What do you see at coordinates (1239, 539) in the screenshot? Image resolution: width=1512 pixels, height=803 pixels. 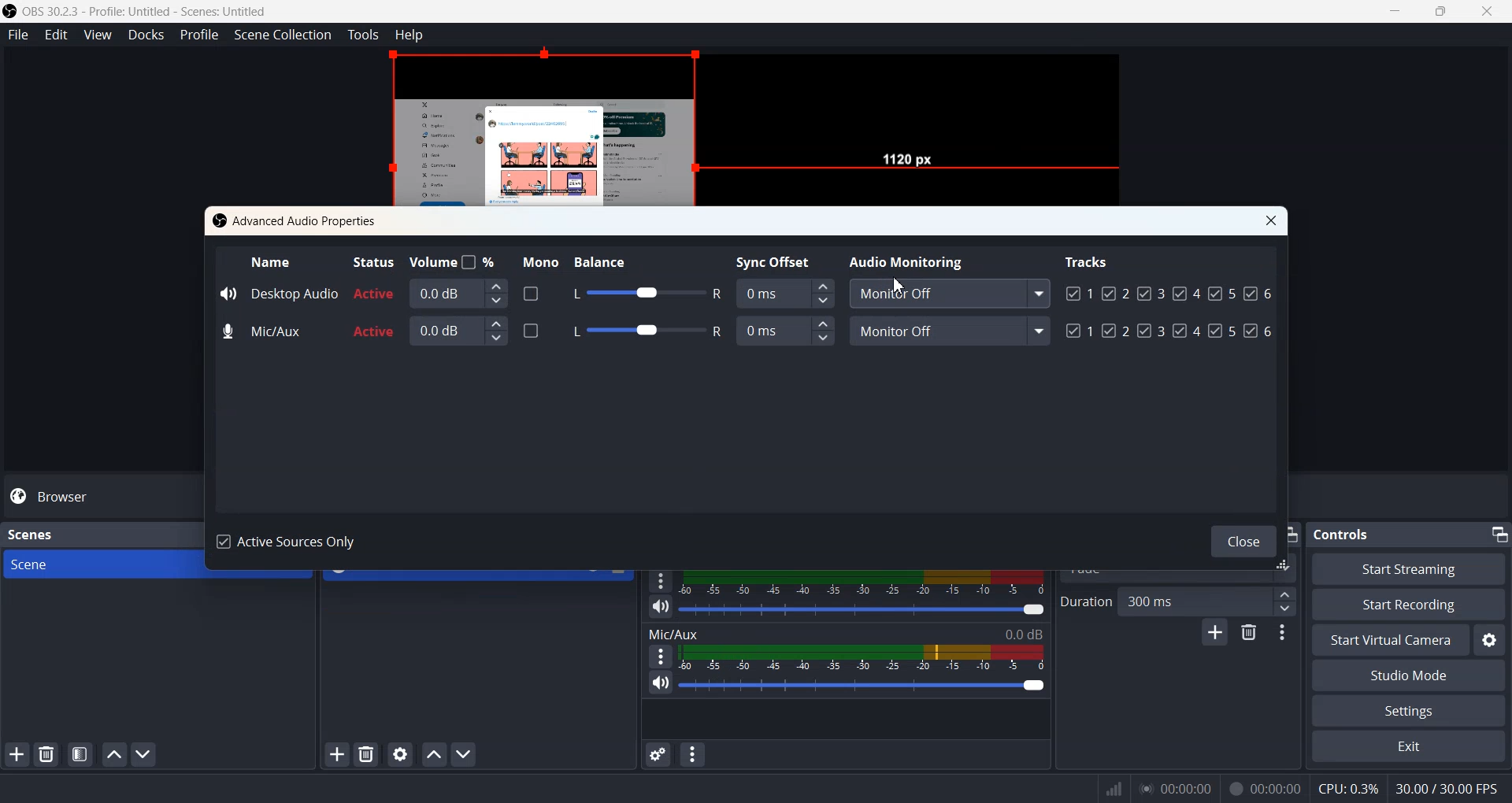 I see `Close` at bounding box center [1239, 539].